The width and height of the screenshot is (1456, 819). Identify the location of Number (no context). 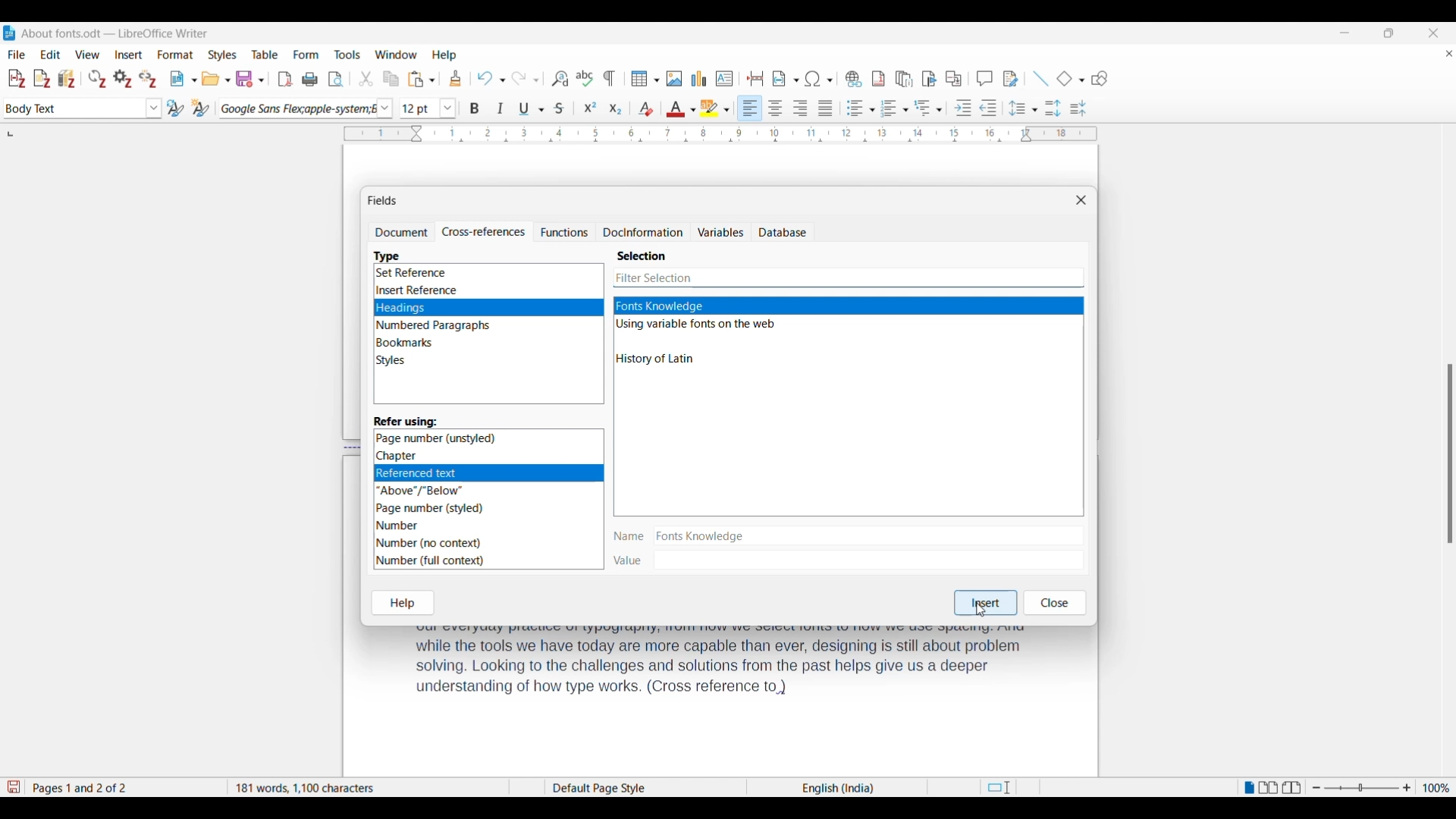
(429, 543).